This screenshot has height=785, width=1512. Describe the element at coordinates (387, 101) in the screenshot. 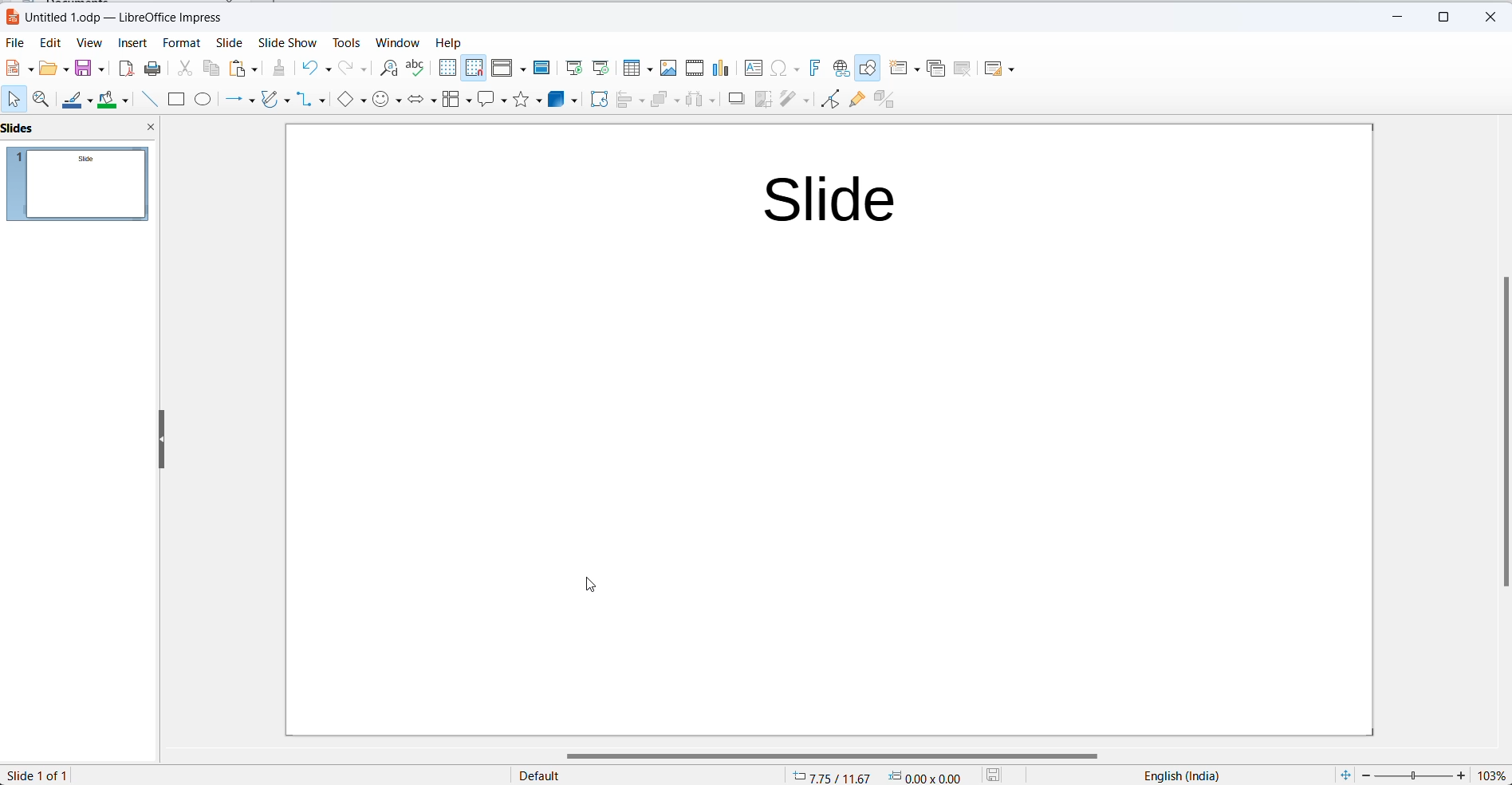

I see `symbol shapes` at that location.